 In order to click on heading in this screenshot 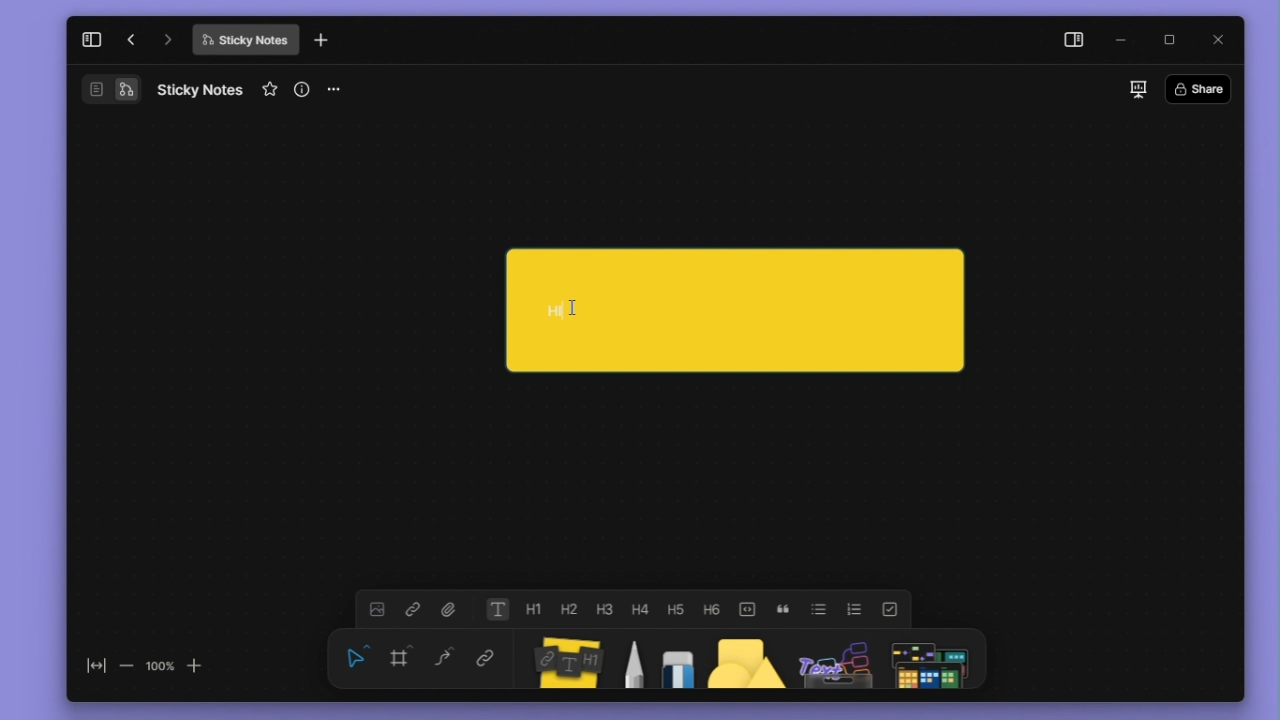, I will do `click(573, 609)`.